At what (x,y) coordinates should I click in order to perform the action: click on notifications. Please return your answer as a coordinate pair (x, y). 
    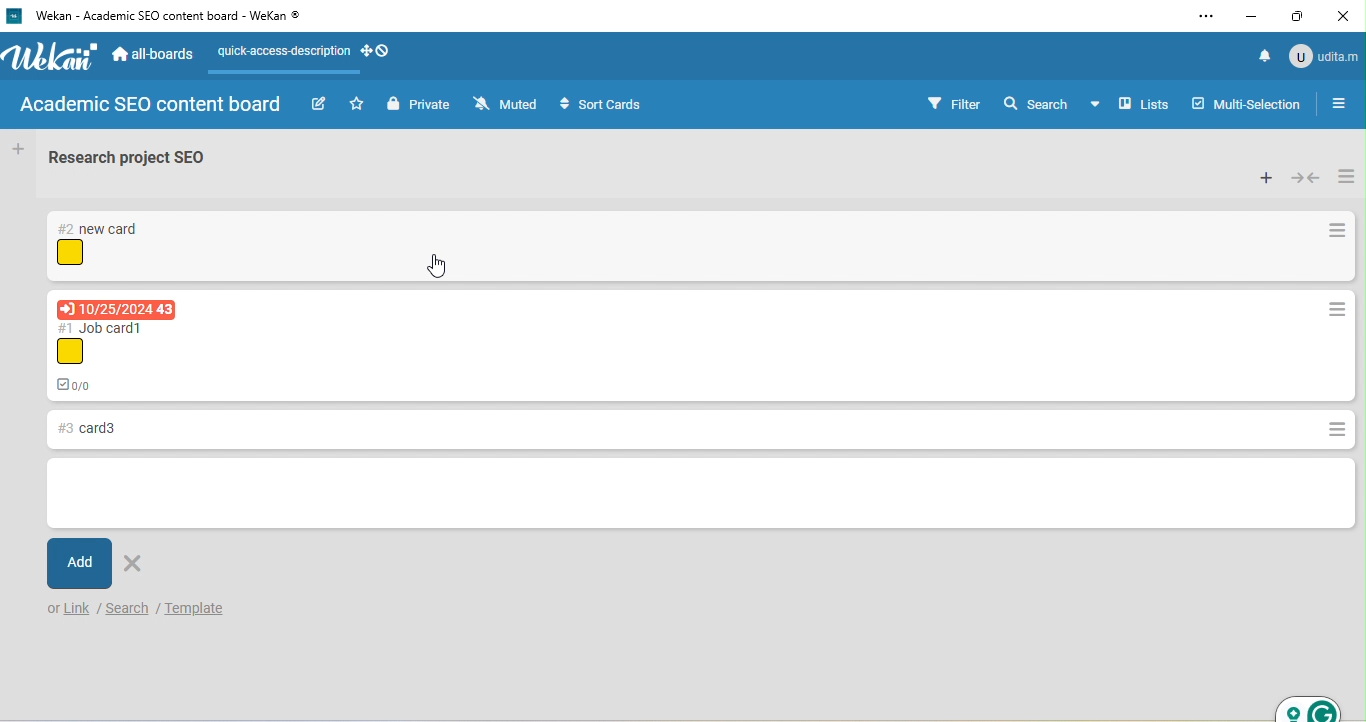
    Looking at the image, I should click on (1260, 55).